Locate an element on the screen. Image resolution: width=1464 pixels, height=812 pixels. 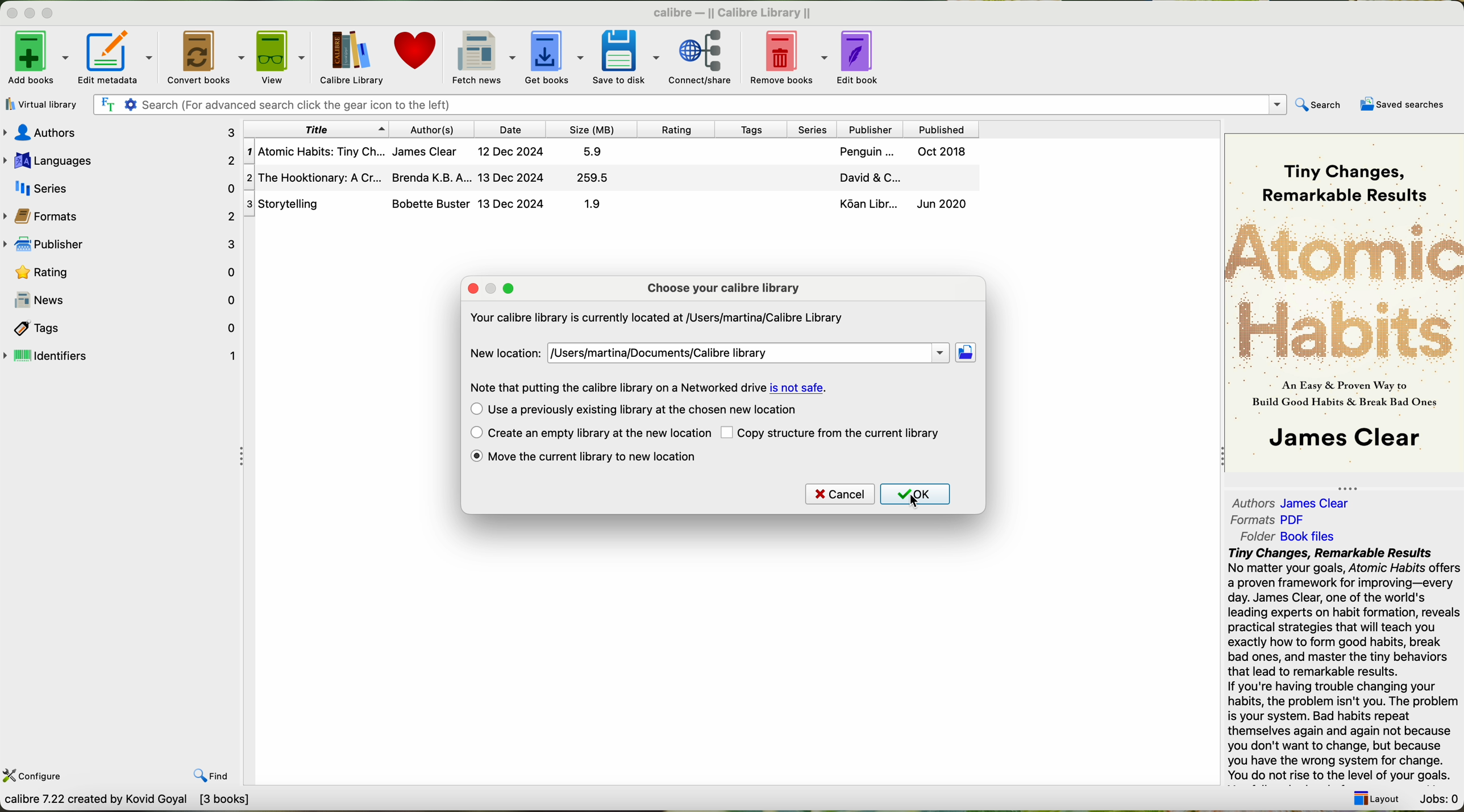
Tiny Changes,
Remarkable Results is located at coordinates (1340, 173).